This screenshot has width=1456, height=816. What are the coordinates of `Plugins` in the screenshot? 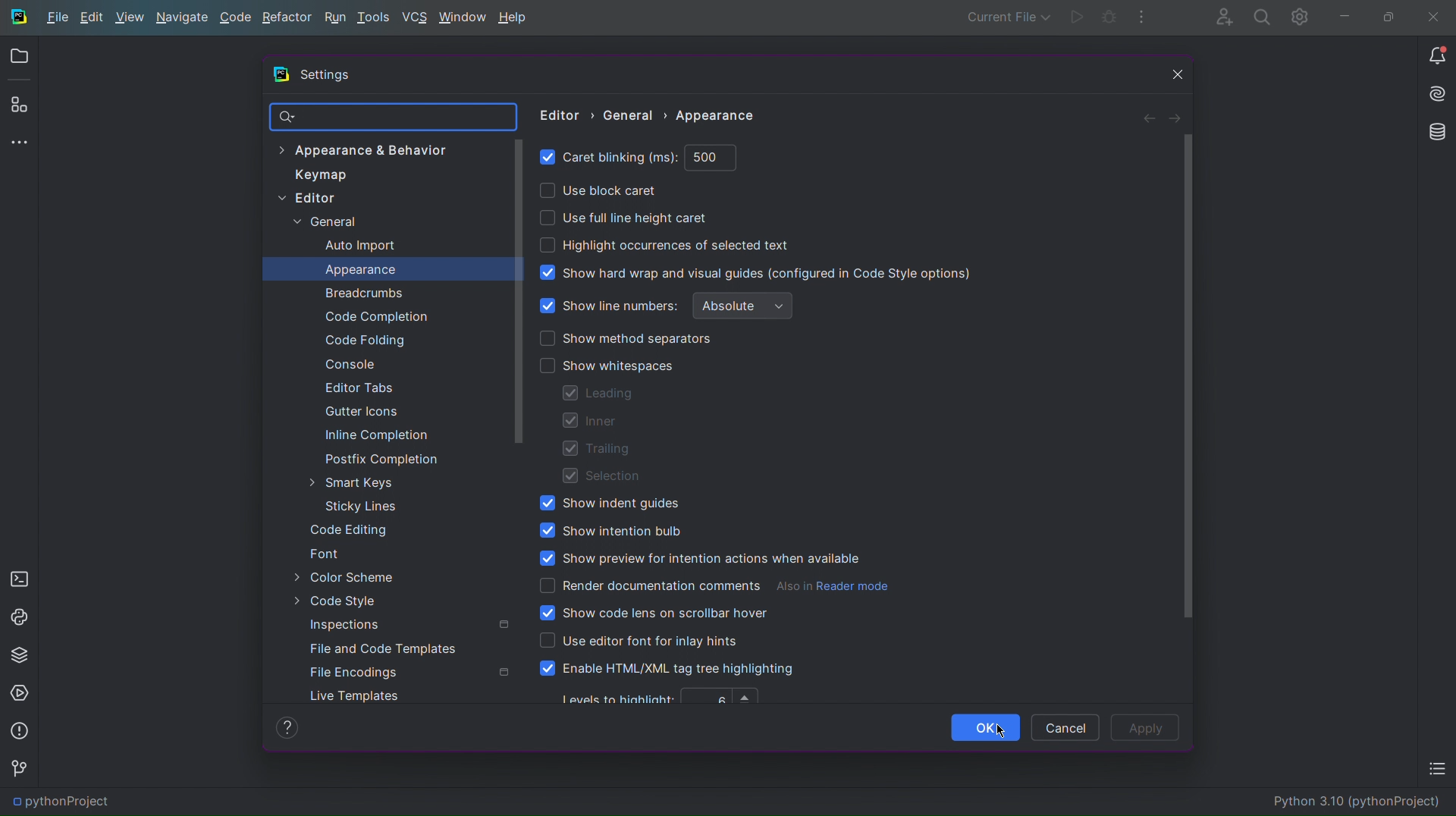 It's located at (19, 107).